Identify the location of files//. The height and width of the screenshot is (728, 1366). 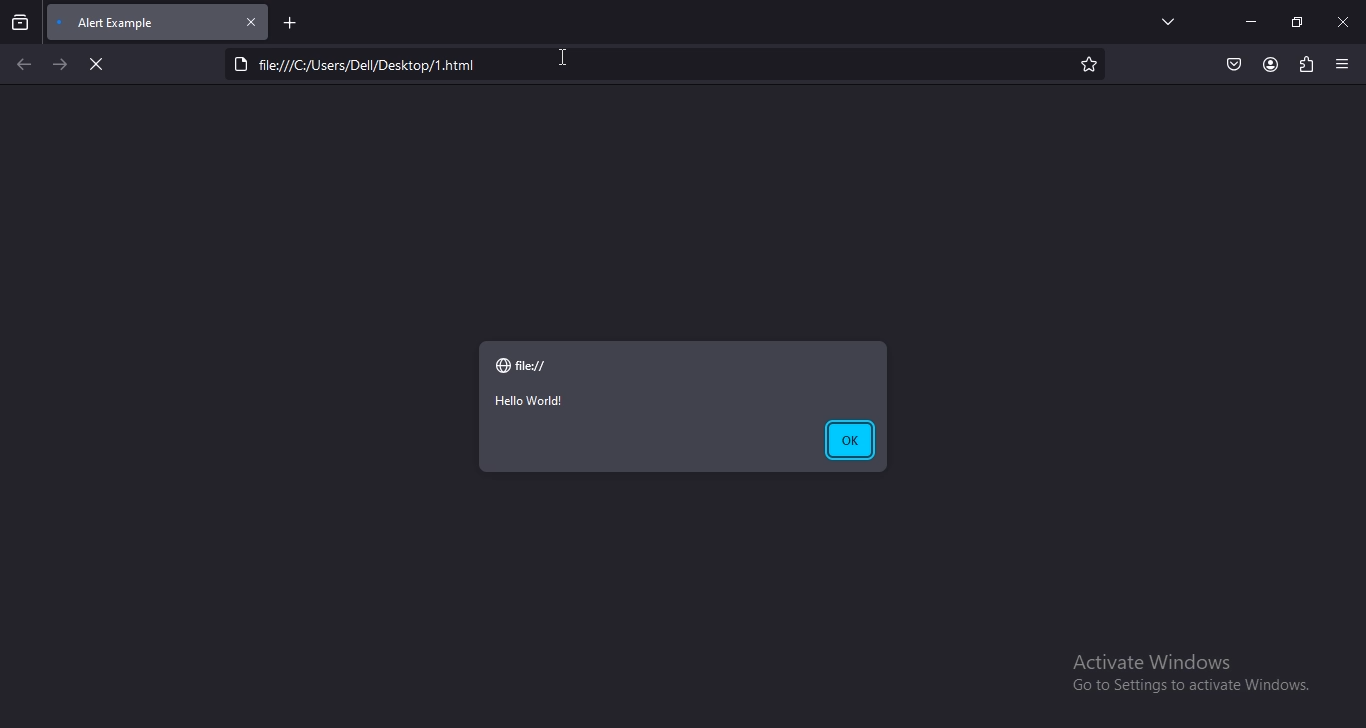
(535, 365).